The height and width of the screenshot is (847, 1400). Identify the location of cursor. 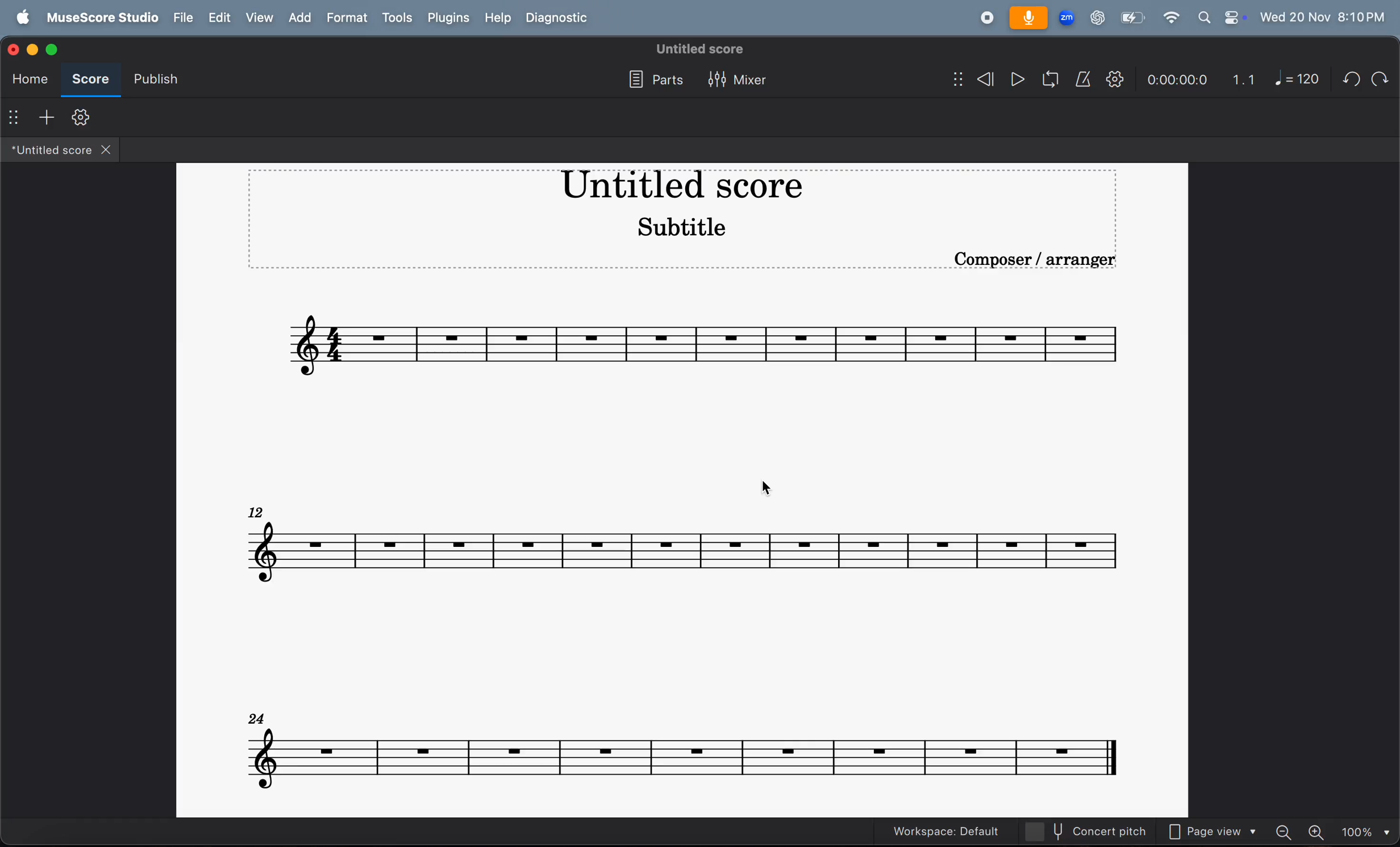
(763, 488).